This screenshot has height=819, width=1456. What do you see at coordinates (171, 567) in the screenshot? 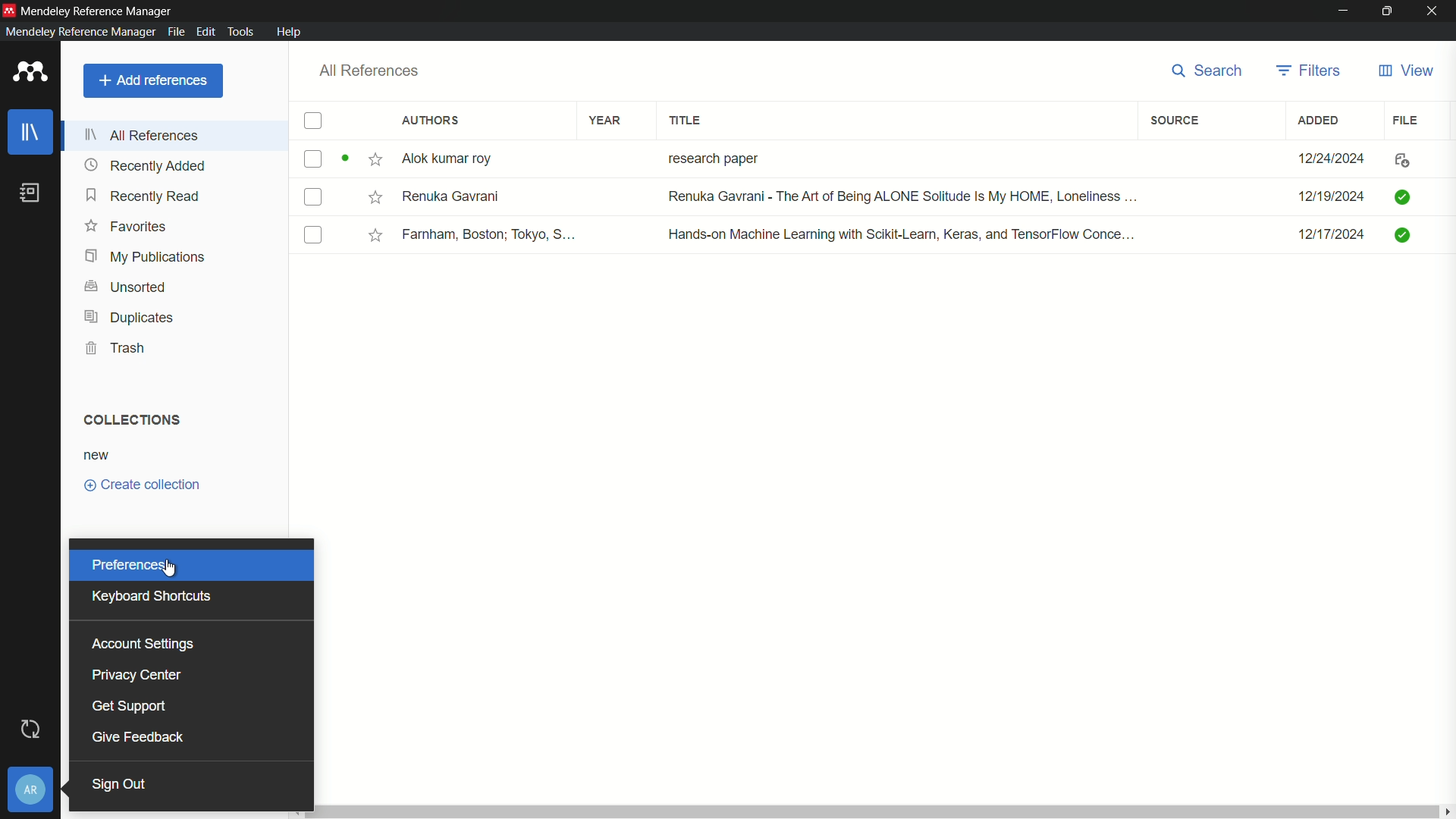
I see `cursor` at bounding box center [171, 567].